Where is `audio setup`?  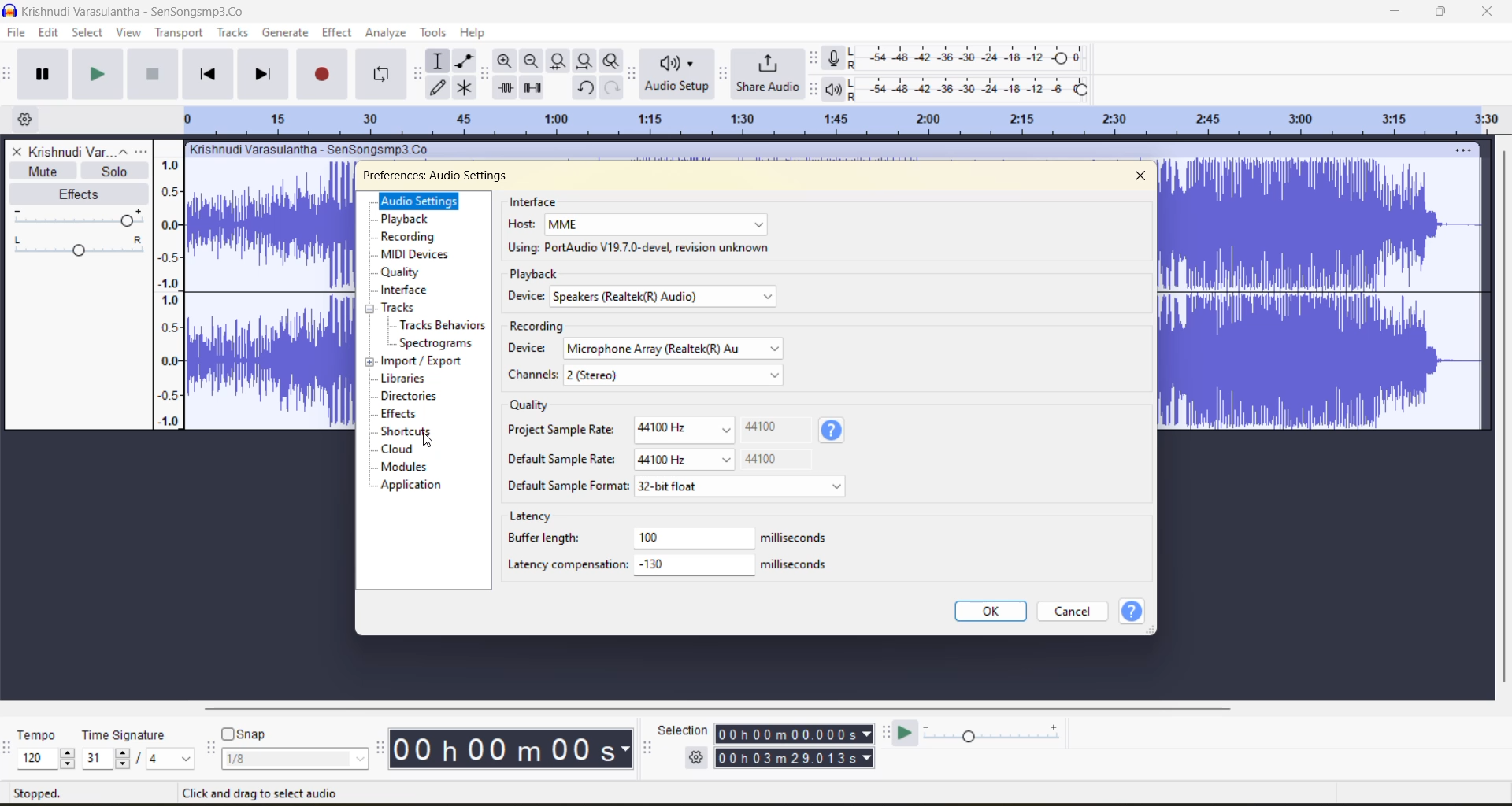
audio setup is located at coordinates (678, 76).